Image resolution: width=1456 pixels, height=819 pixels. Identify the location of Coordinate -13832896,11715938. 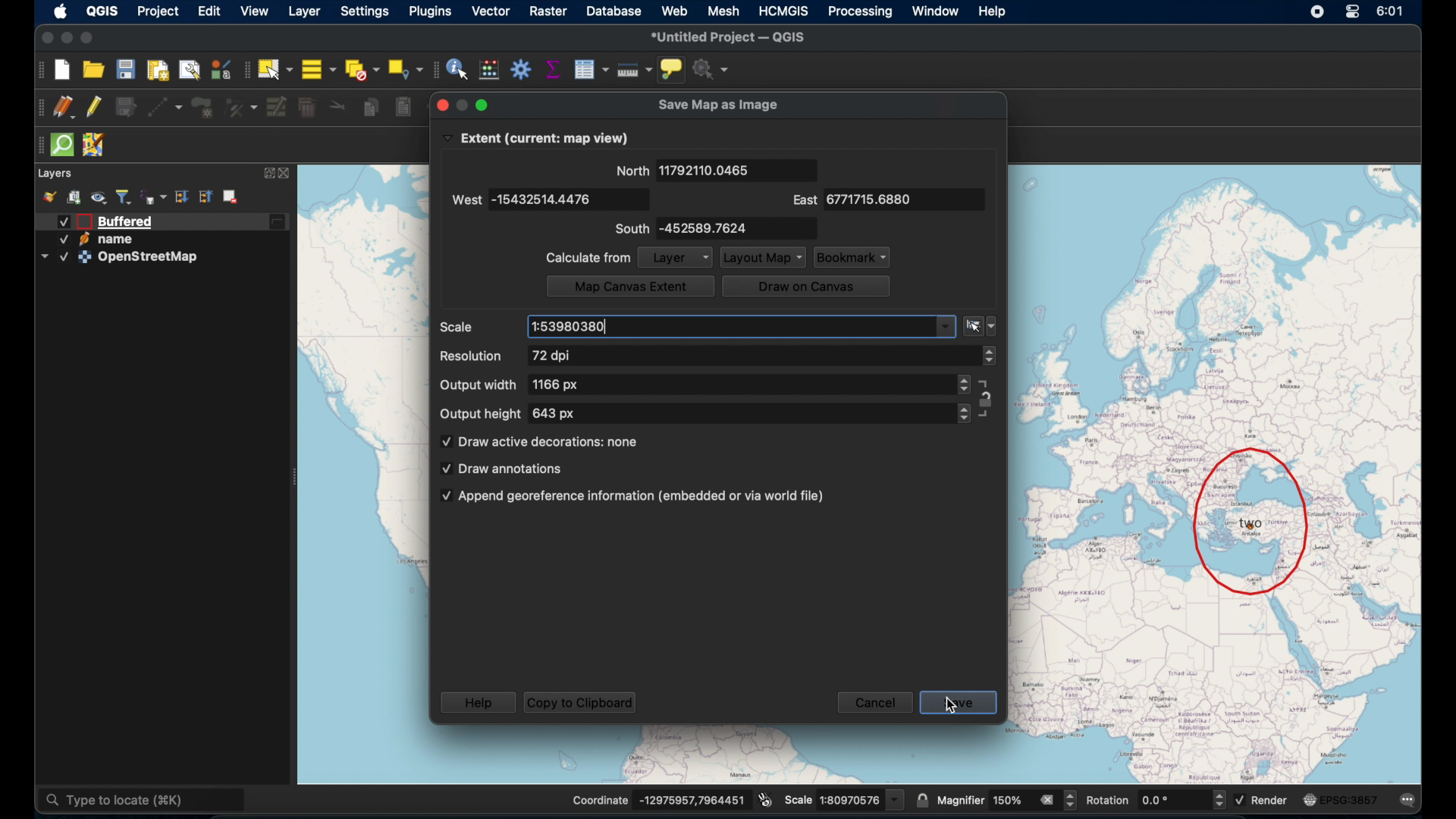
(654, 800).